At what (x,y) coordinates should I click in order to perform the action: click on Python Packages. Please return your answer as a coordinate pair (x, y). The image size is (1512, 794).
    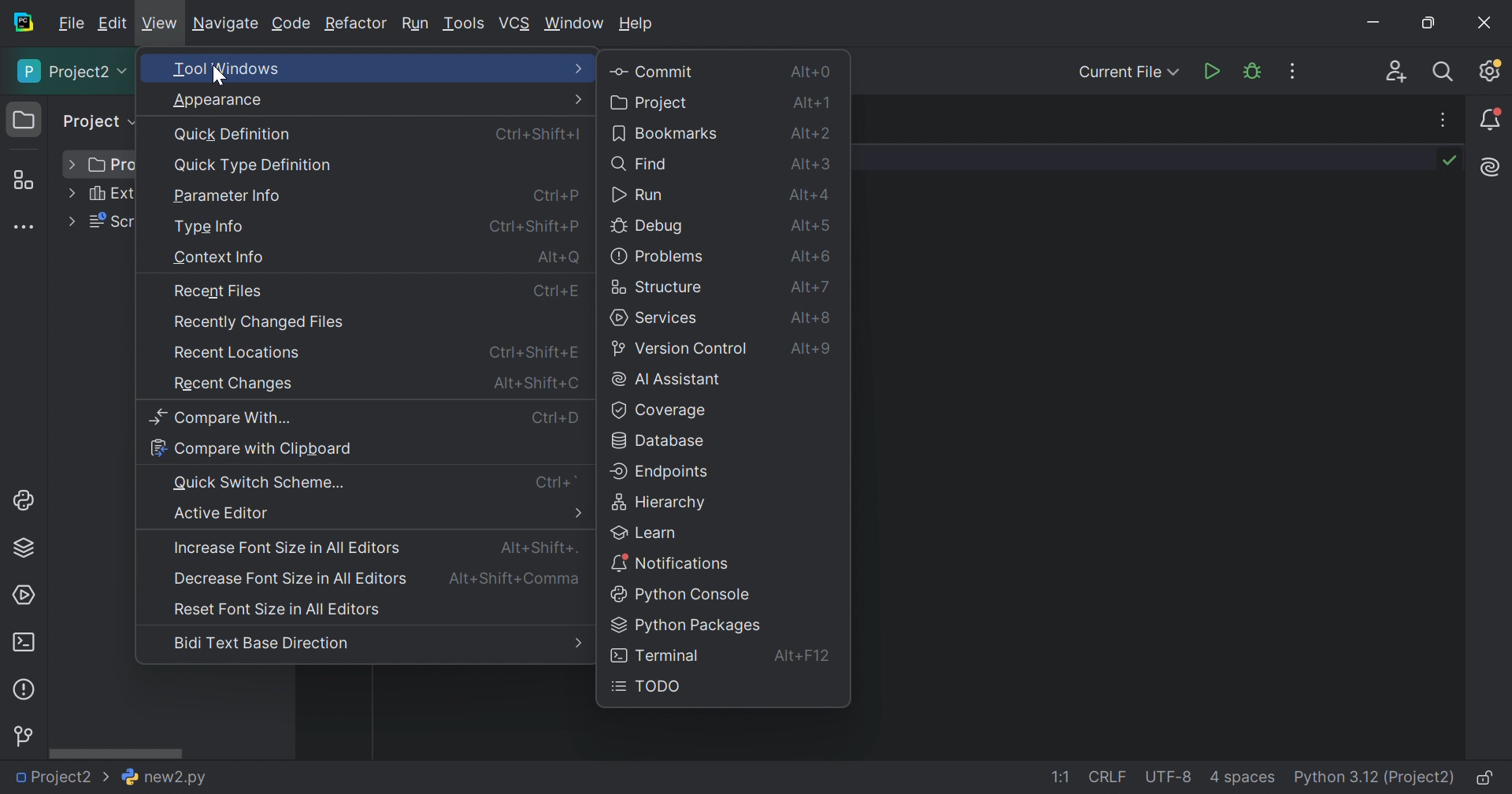
    Looking at the image, I should click on (24, 550).